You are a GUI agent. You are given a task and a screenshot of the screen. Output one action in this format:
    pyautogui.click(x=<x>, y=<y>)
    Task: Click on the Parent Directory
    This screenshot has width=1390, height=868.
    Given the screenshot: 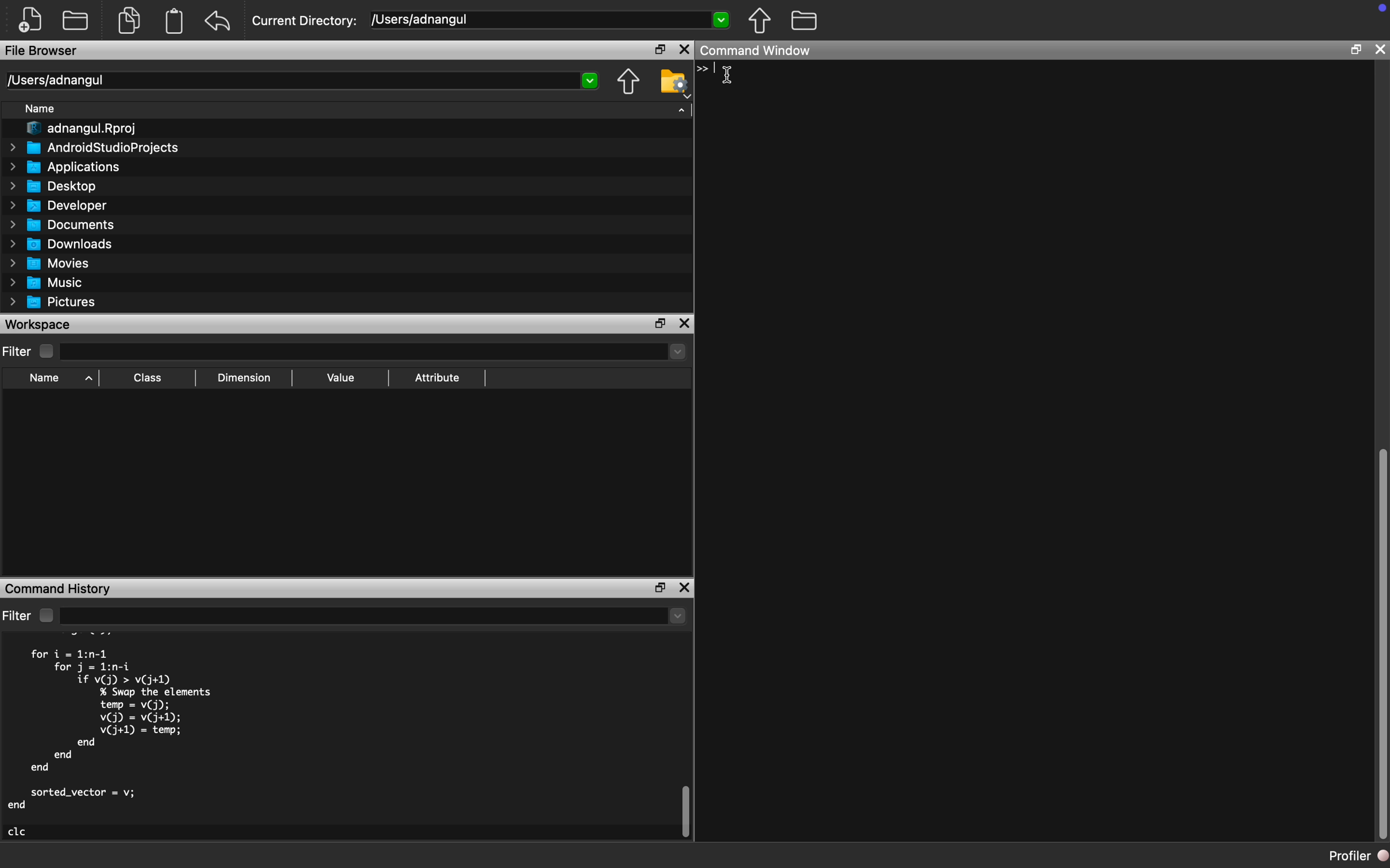 What is the action you would take?
    pyautogui.click(x=627, y=83)
    